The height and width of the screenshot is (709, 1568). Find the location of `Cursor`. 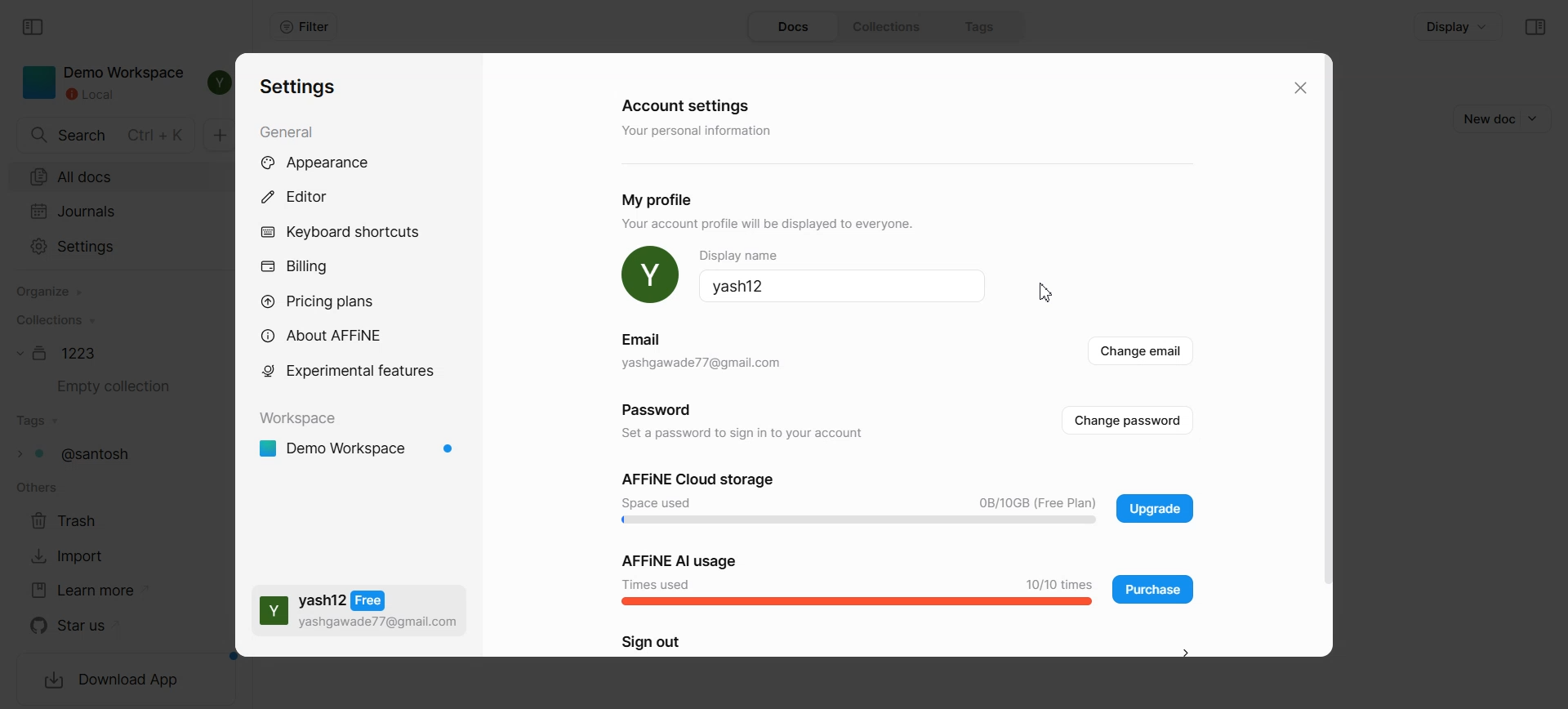

Cursor is located at coordinates (1045, 291).